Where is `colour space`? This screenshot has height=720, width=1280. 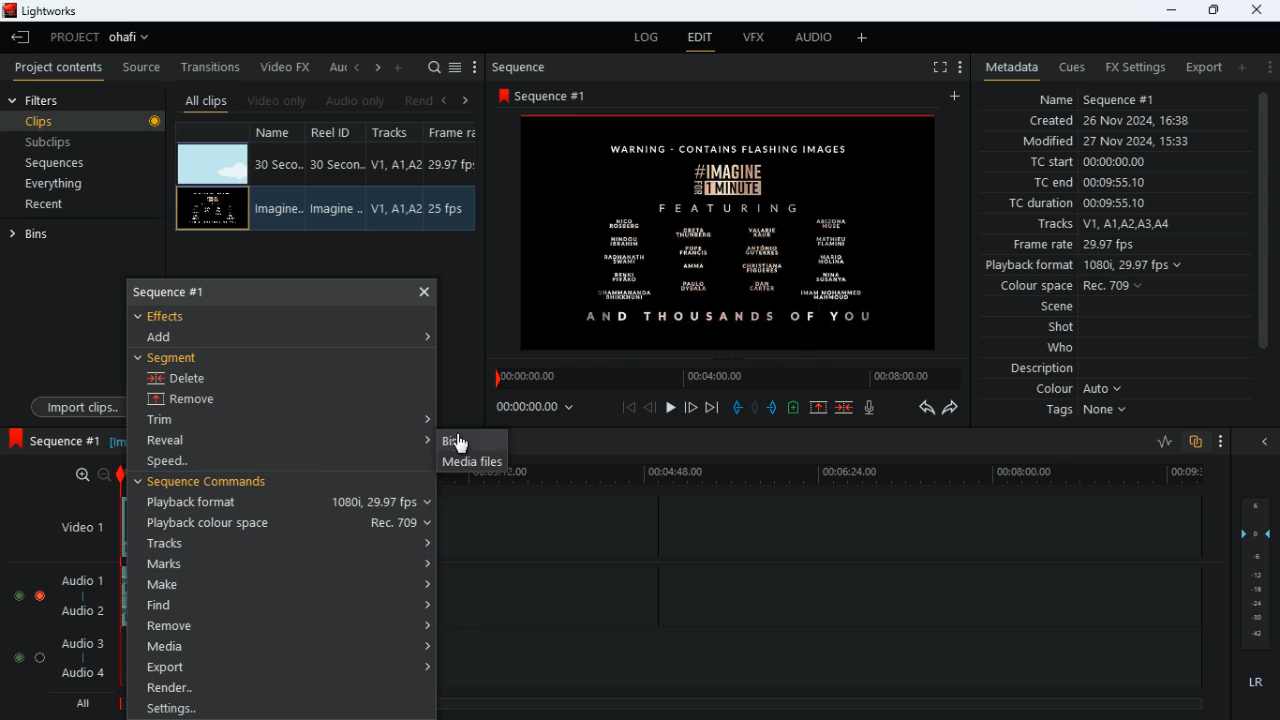
colour space is located at coordinates (1078, 285).